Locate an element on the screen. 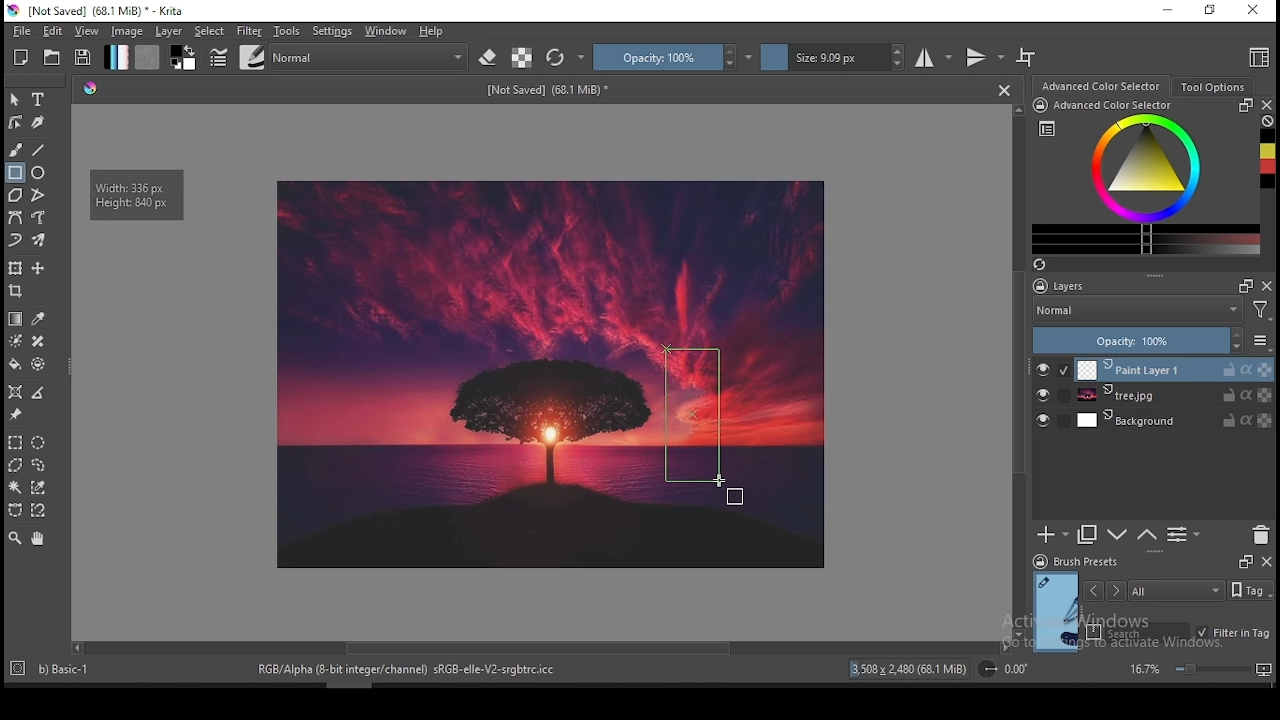 Image resolution: width=1280 pixels, height=720 pixels. opacity is located at coordinates (1152, 340).